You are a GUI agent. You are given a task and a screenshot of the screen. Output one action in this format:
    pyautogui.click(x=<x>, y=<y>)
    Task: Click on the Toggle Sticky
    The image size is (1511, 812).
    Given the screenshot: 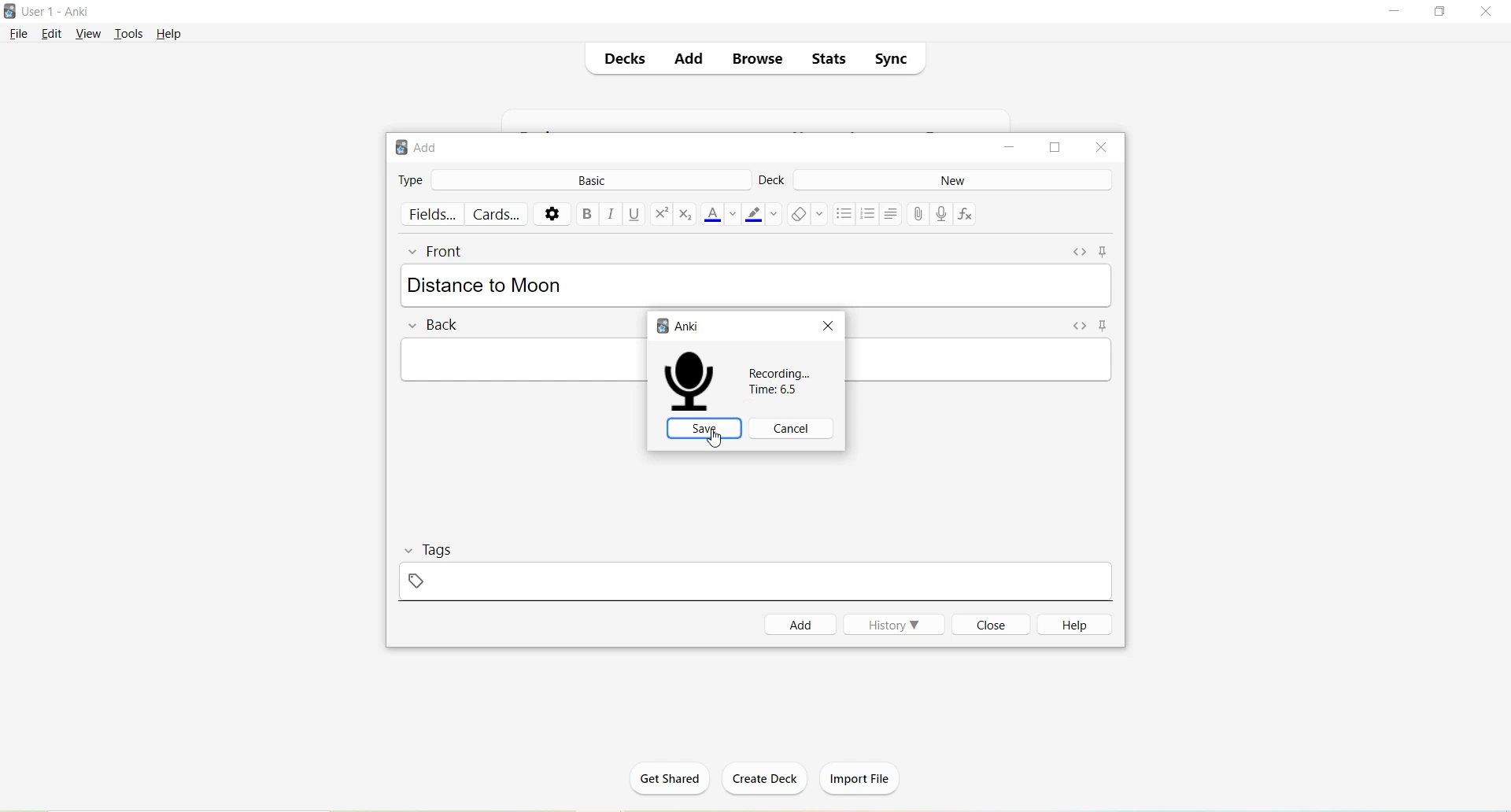 What is the action you would take?
    pyautogui.click(x=1109, y=327)
    